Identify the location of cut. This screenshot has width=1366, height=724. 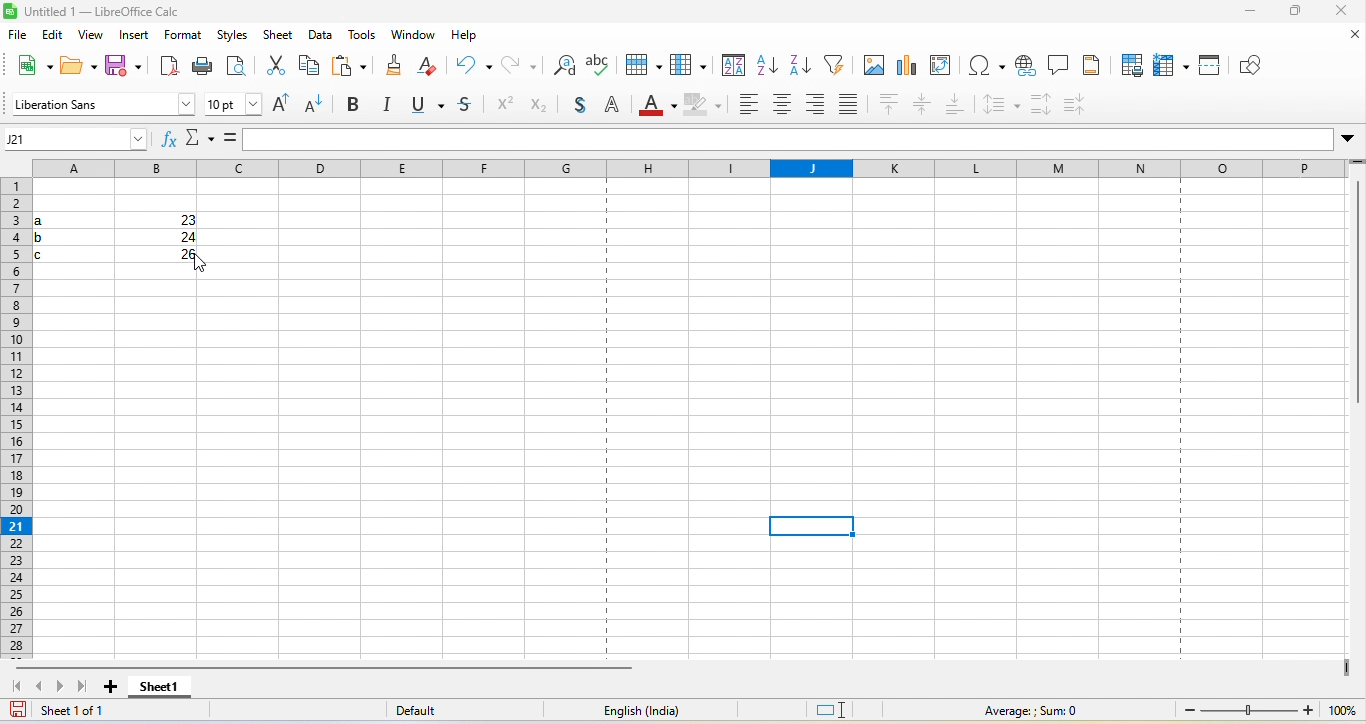
(273, 68).